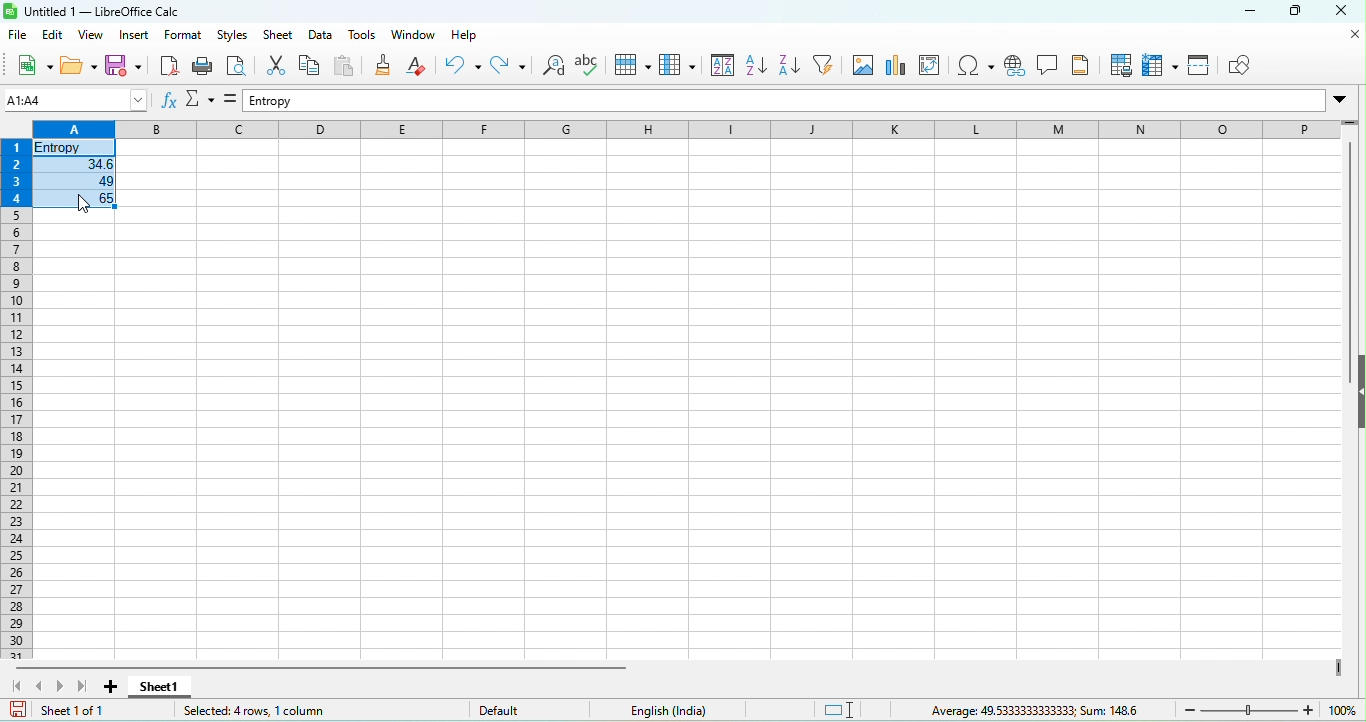 Image resolution: width=1366 pixels, height=722 pixels. Describe the element at coordinates (1033, 711) in the screenshot. I see `average 49.5333333333333, sum 148.6` at that location.